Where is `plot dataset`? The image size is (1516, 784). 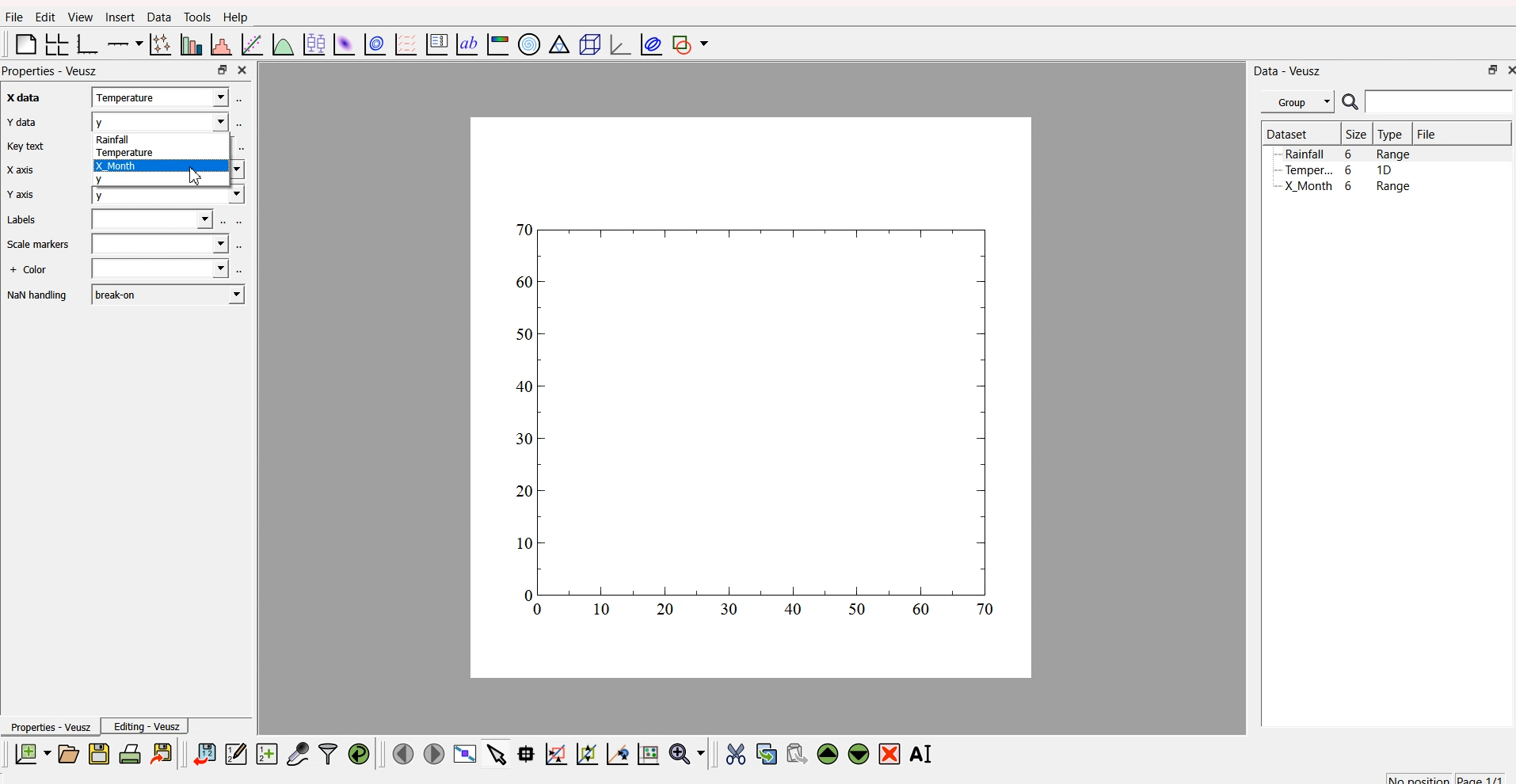 plot dataset is located at coordinates (342, 44).